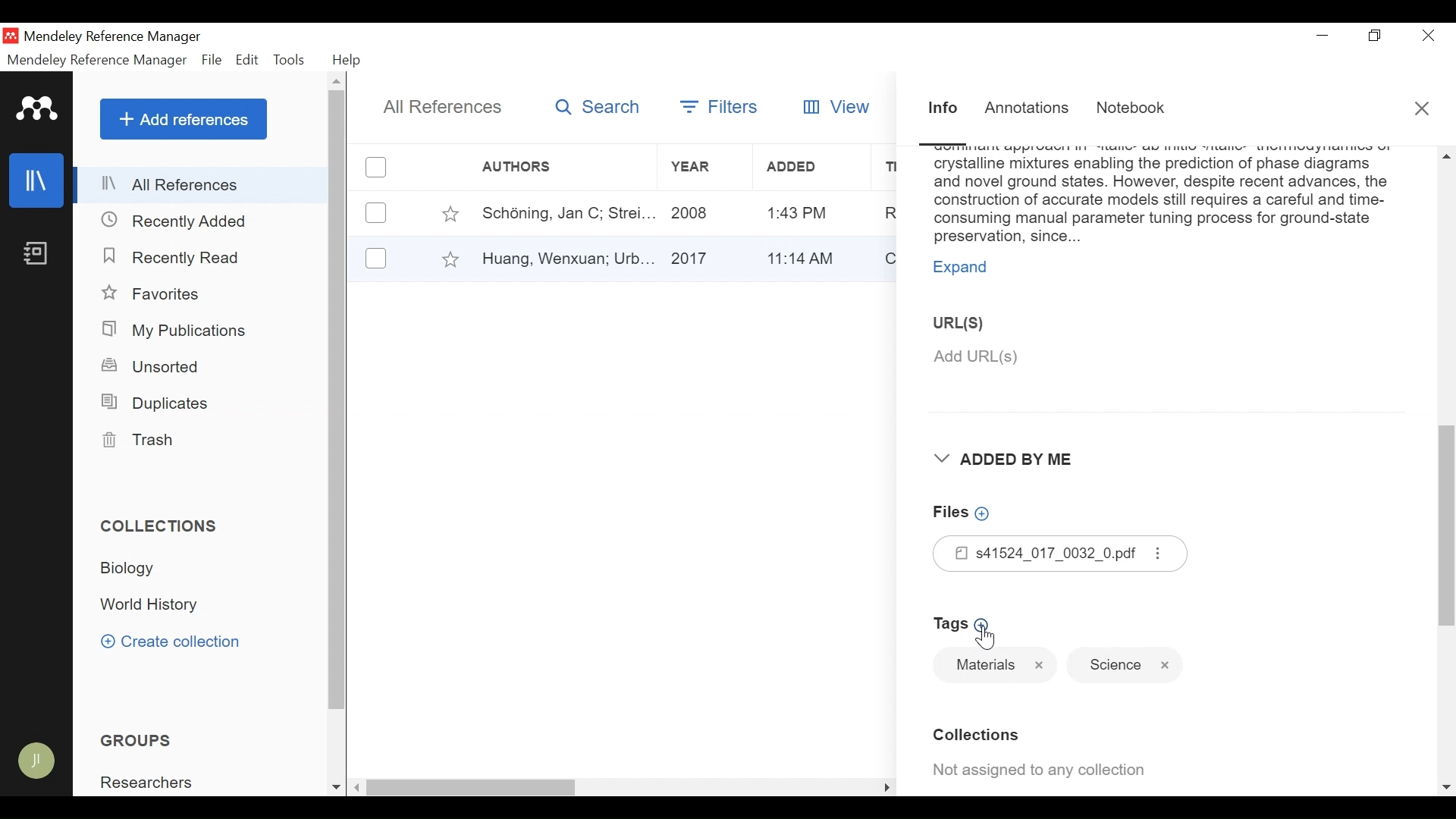  I want to click on Unsorted, so click(152, 366).